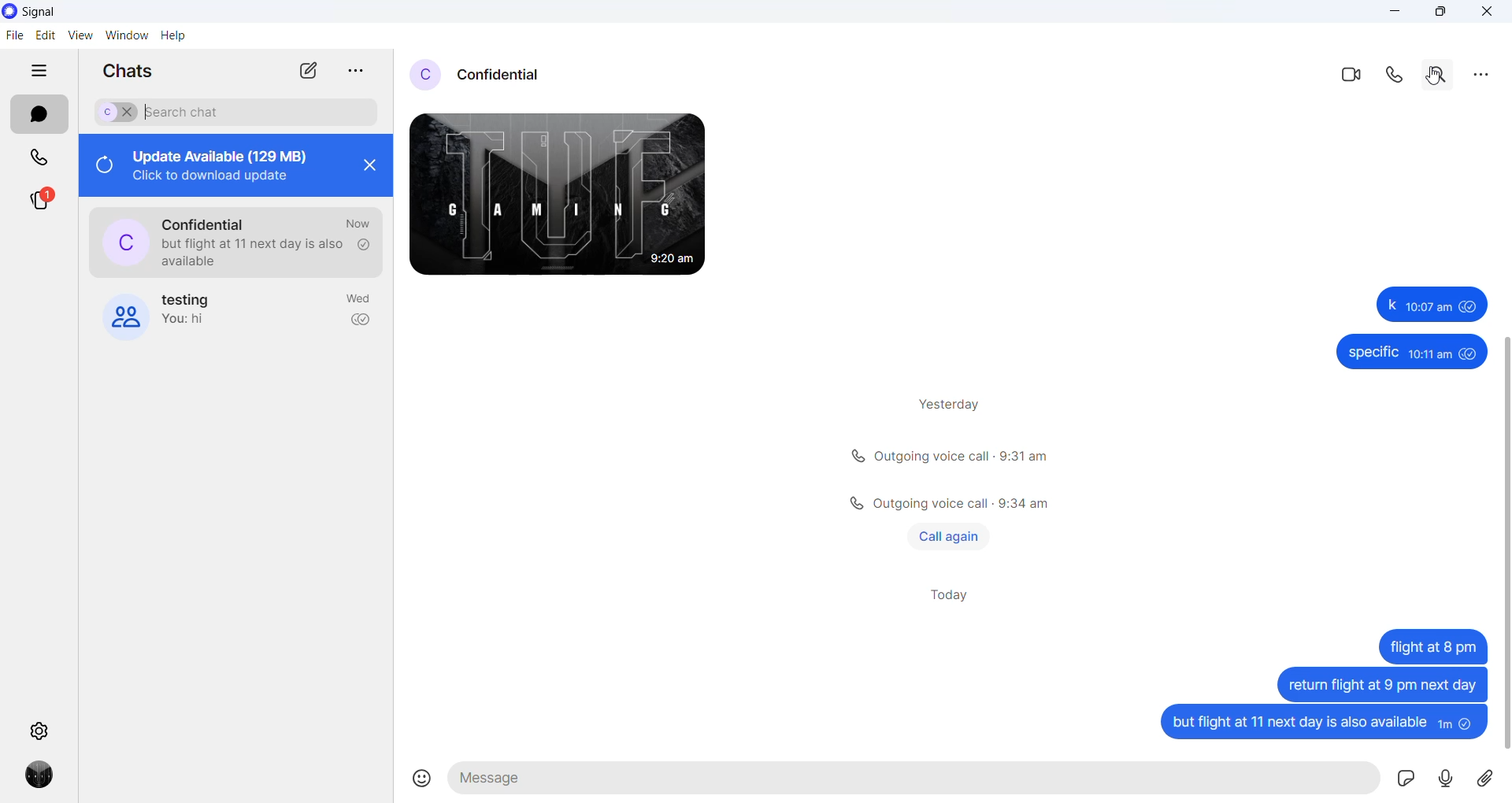 Image resolution: width=1512 pixels, height=803 pixels. What do you see at coordinates (39, 72) in the screenshot?
I see `hide tabs` at bounding box center [39, 72].